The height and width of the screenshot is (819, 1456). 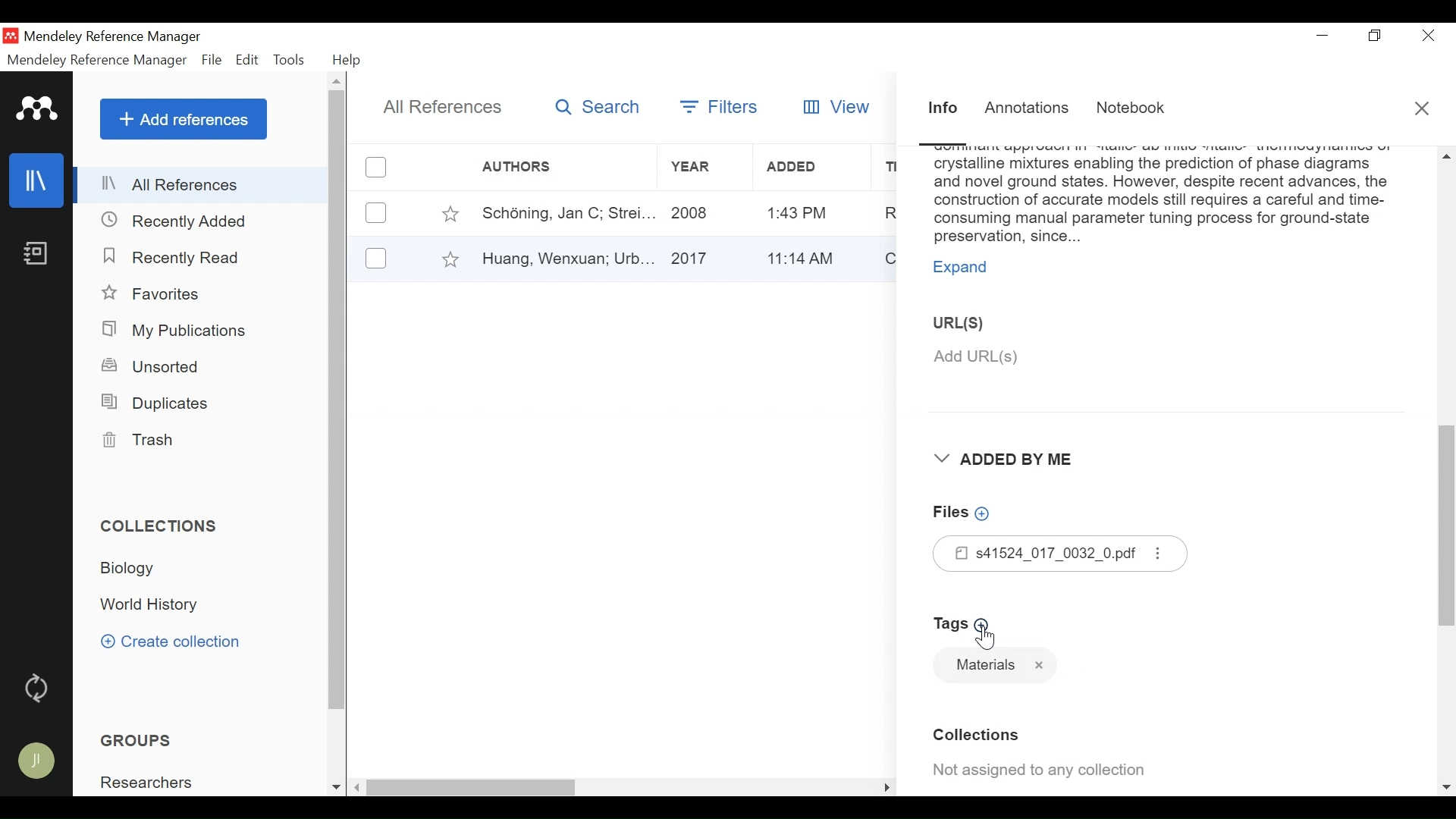 I want to click on Annotations, so click(x=1028, y=110).